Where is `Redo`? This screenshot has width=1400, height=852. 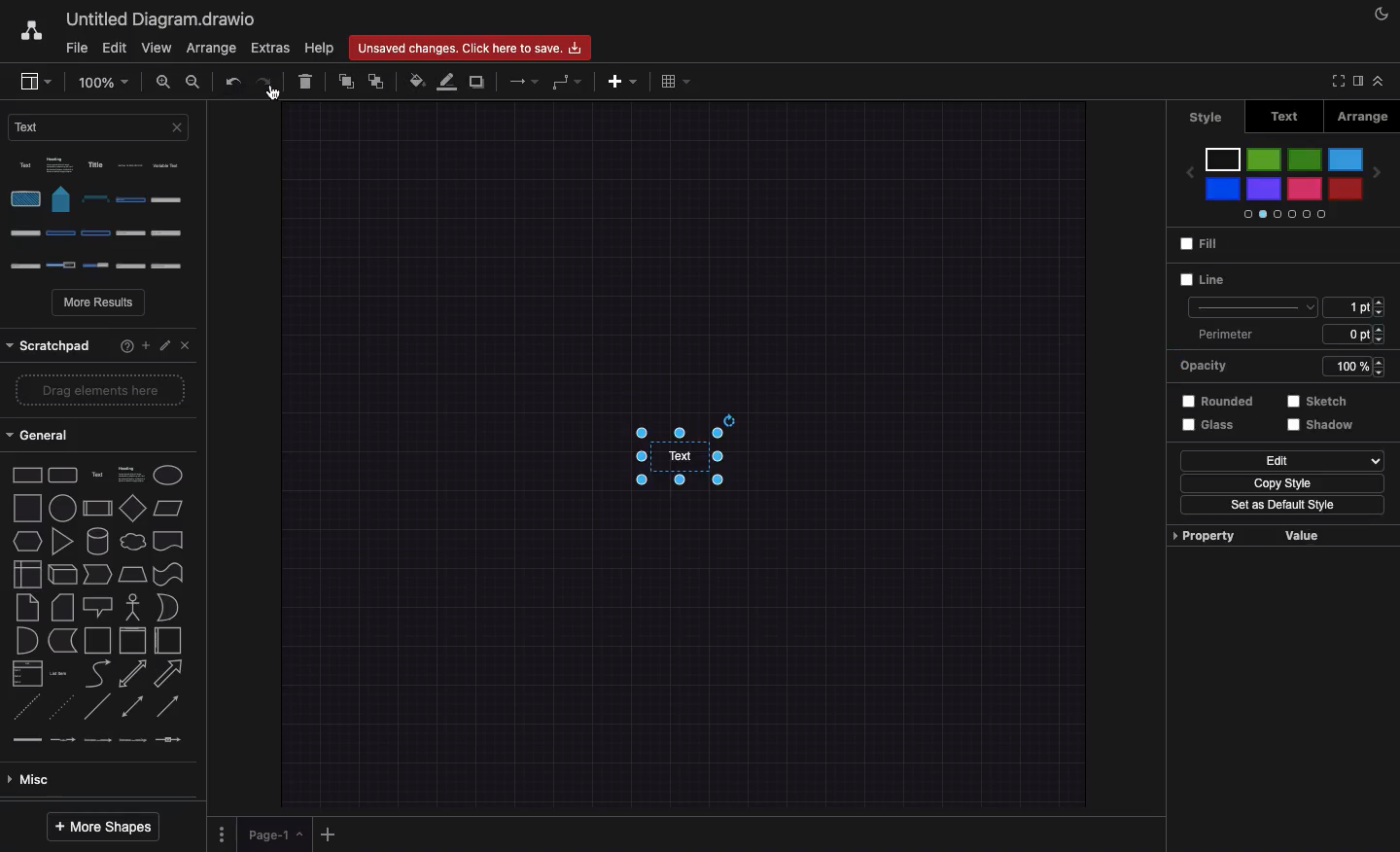
Redo is located at coordinates (262, 82).